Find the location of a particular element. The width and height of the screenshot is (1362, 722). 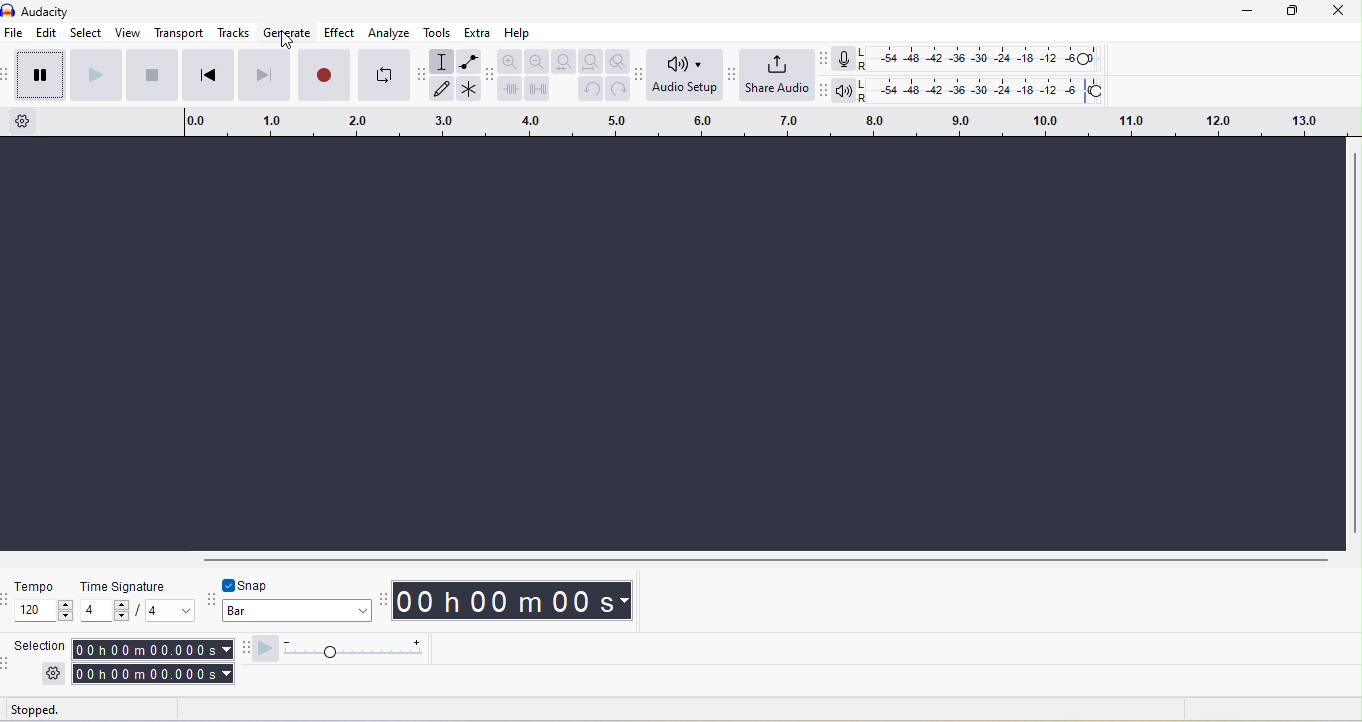

00 h 00 m 00.000 s is located at coordinates (151, 662).